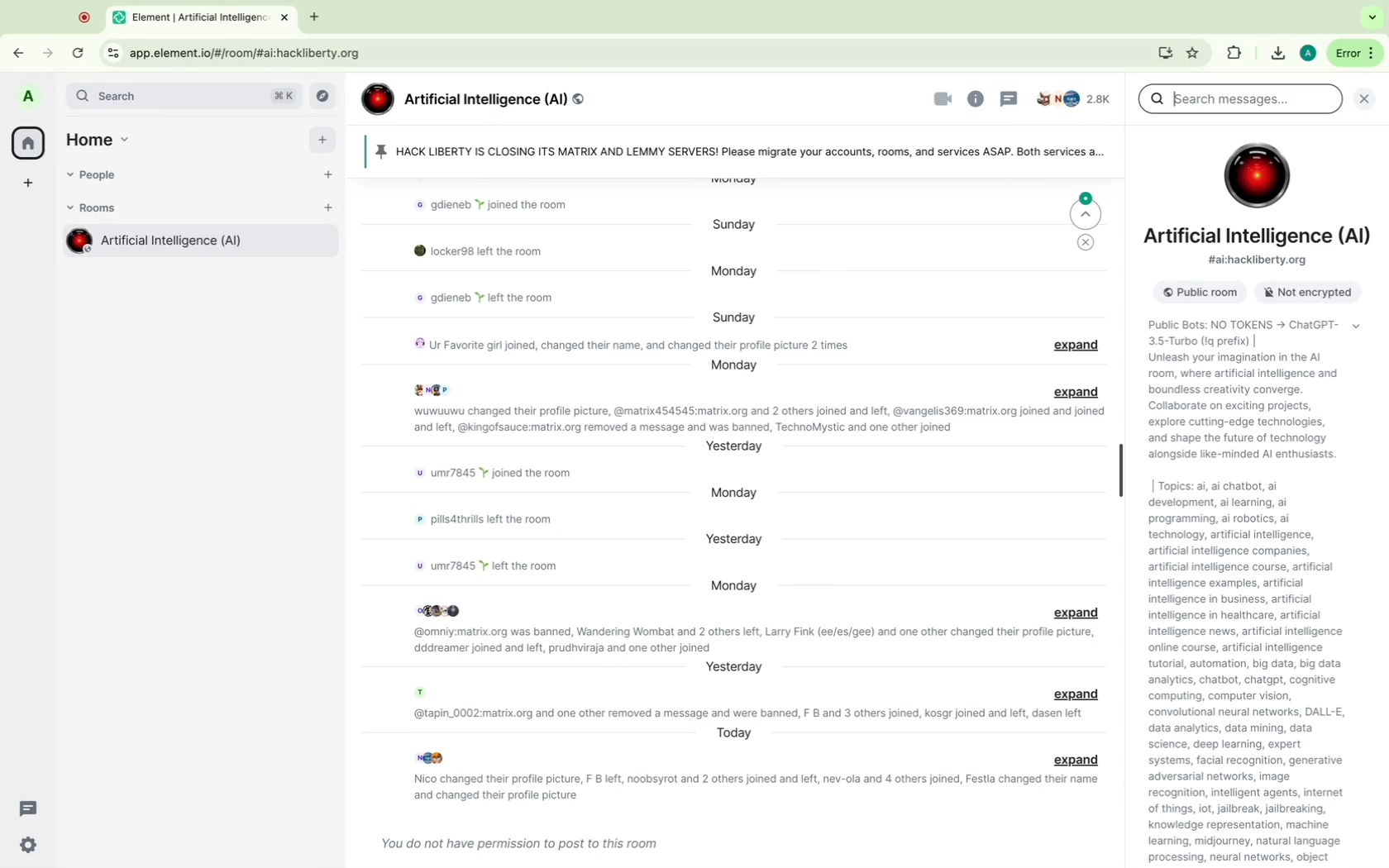  Describe the element at coordinates (98, 176) in the screenshot. I see `people` at that location.